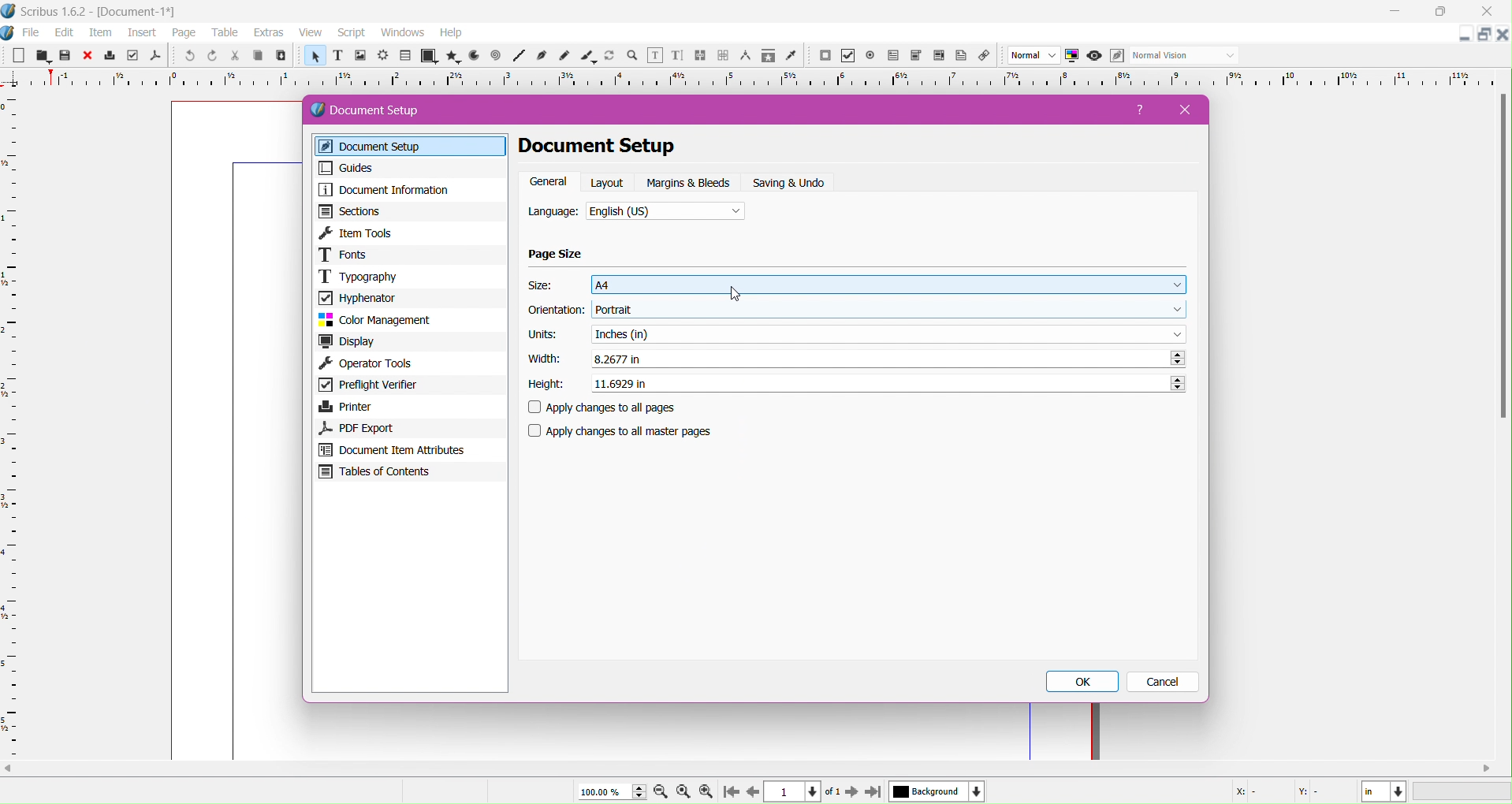  Describe the element at coordinates (225, 33) in the screenshot. I see `table menu` at that location.